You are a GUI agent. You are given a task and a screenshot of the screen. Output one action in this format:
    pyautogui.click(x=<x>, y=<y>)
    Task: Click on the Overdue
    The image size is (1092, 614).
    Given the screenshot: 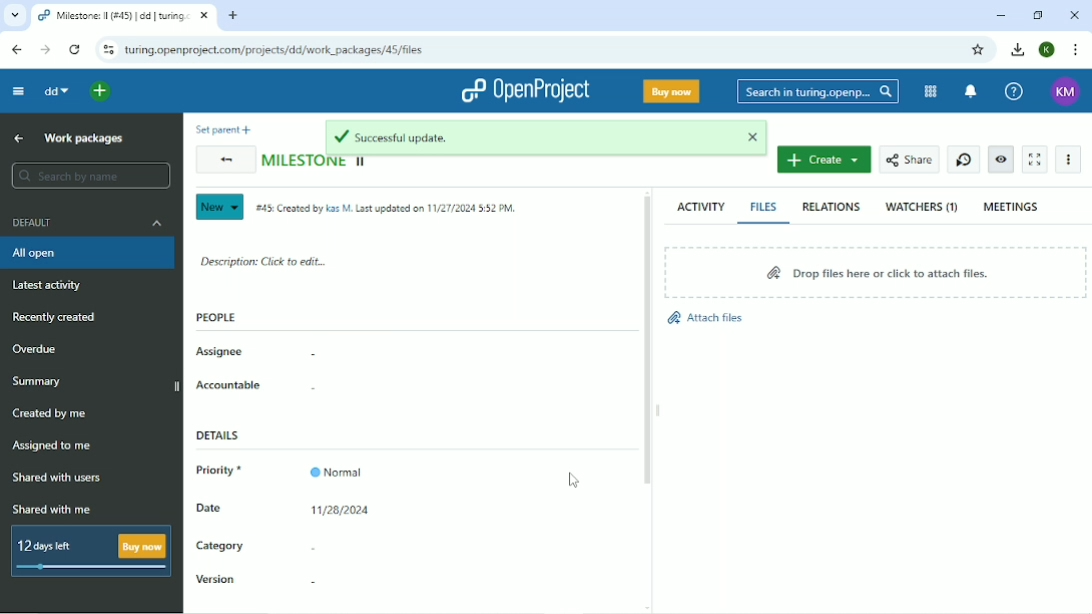 What is the action you would take?
    pyautogui.click(x=38, y=349)
    